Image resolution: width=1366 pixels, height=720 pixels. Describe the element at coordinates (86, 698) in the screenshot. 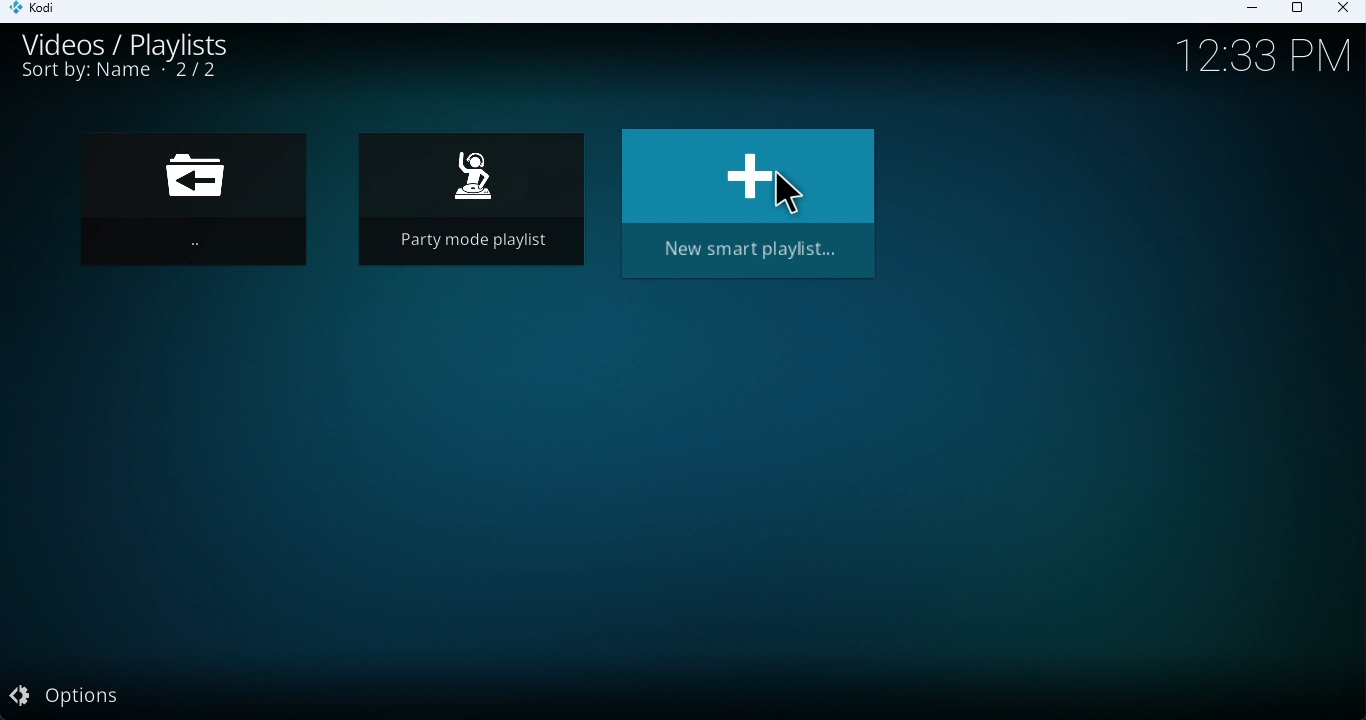

I see `Options` at that location.